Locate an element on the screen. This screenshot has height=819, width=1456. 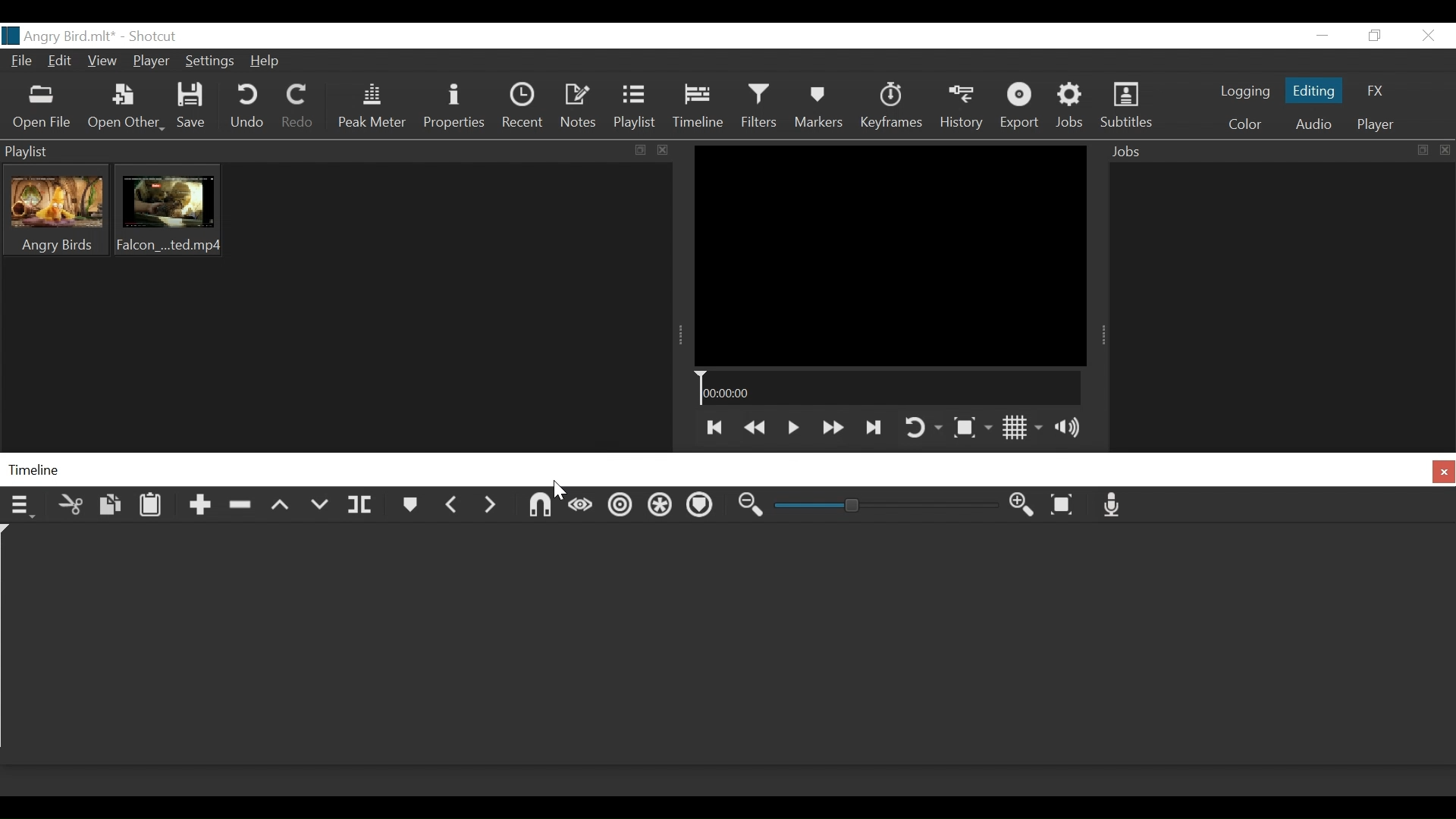
File name is located at coordinates (58, 36).